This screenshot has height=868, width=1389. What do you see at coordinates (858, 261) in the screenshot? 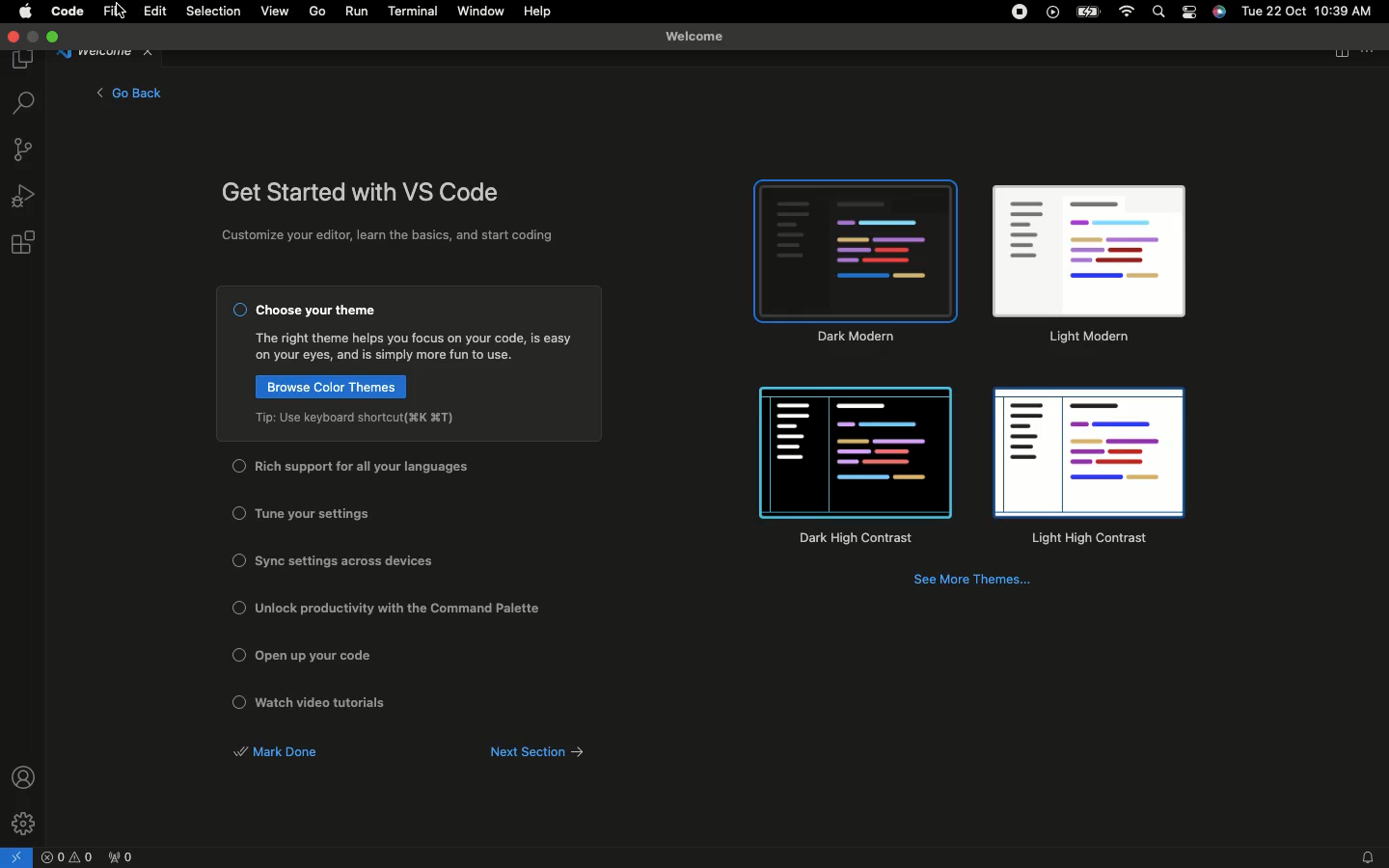
I see `Dark modem` at bounding box center [858, 261].